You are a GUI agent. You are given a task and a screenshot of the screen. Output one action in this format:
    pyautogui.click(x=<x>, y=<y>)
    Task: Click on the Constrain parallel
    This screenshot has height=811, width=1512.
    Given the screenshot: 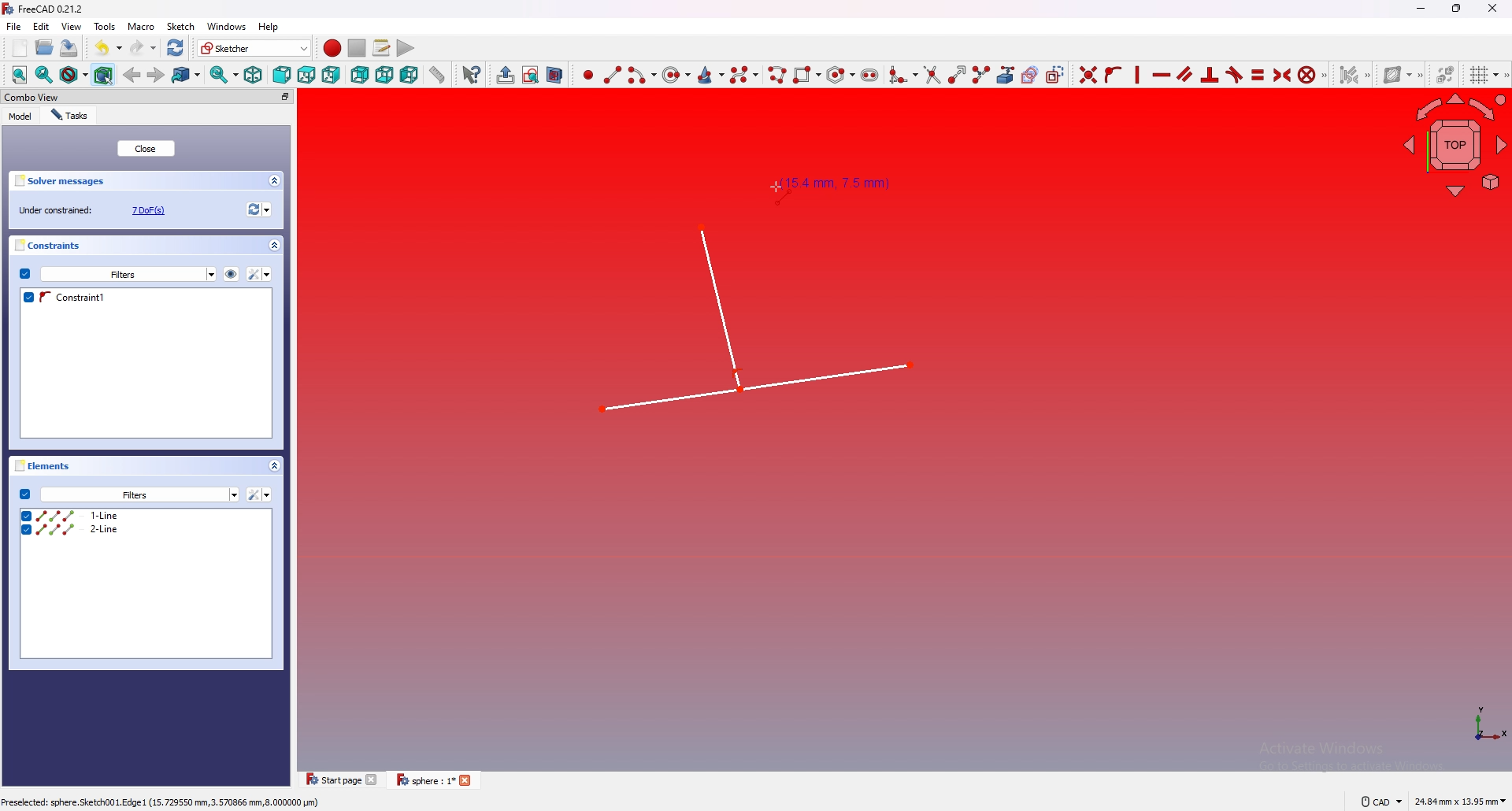 What is the action you would take?
    pyautogui.click(x=1185, y=74)
    